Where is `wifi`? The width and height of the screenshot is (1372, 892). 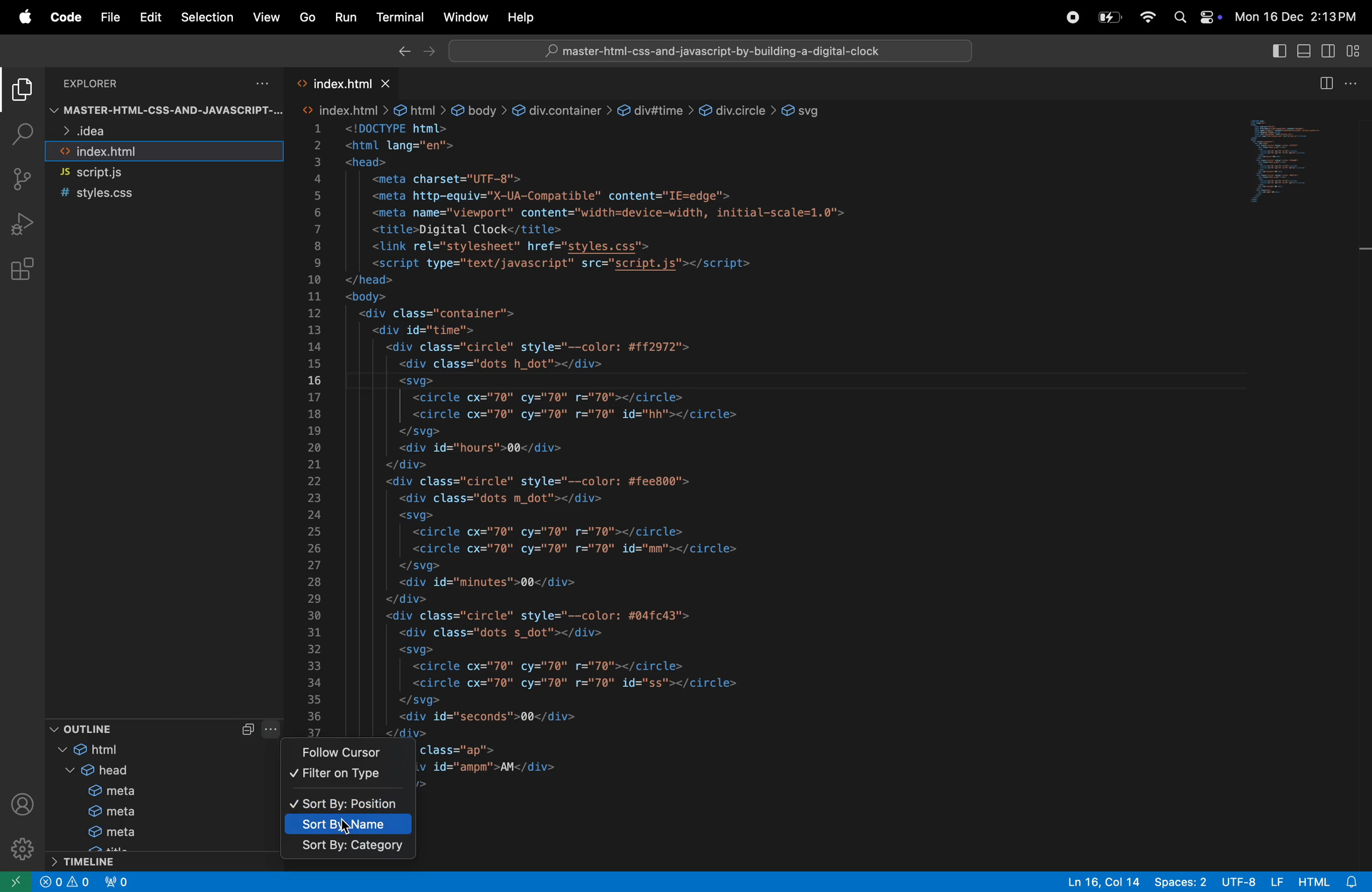
wifi is located at coordinates (1143, 17).